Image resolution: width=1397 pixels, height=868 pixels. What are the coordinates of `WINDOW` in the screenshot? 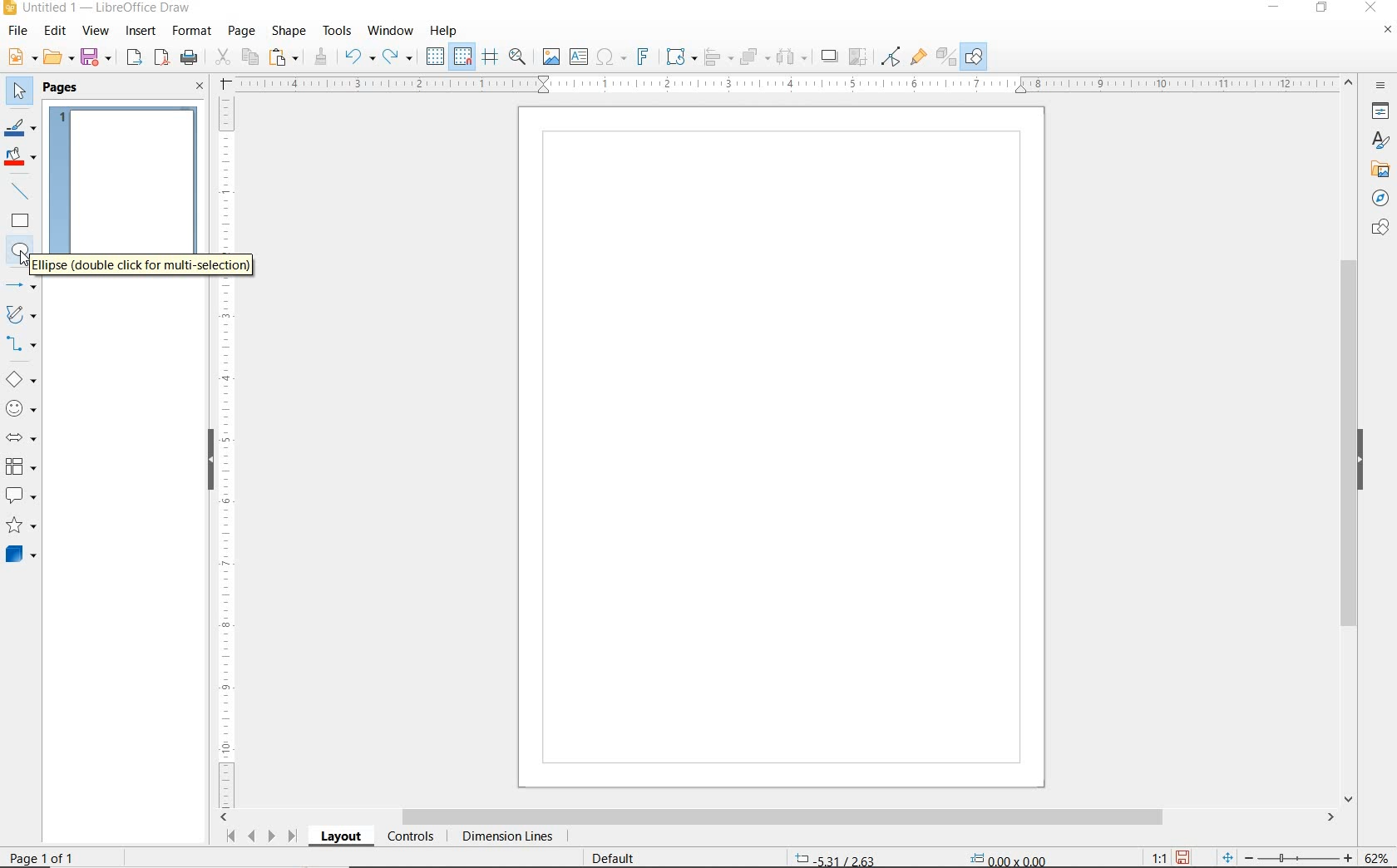 It's located at (390, 31).